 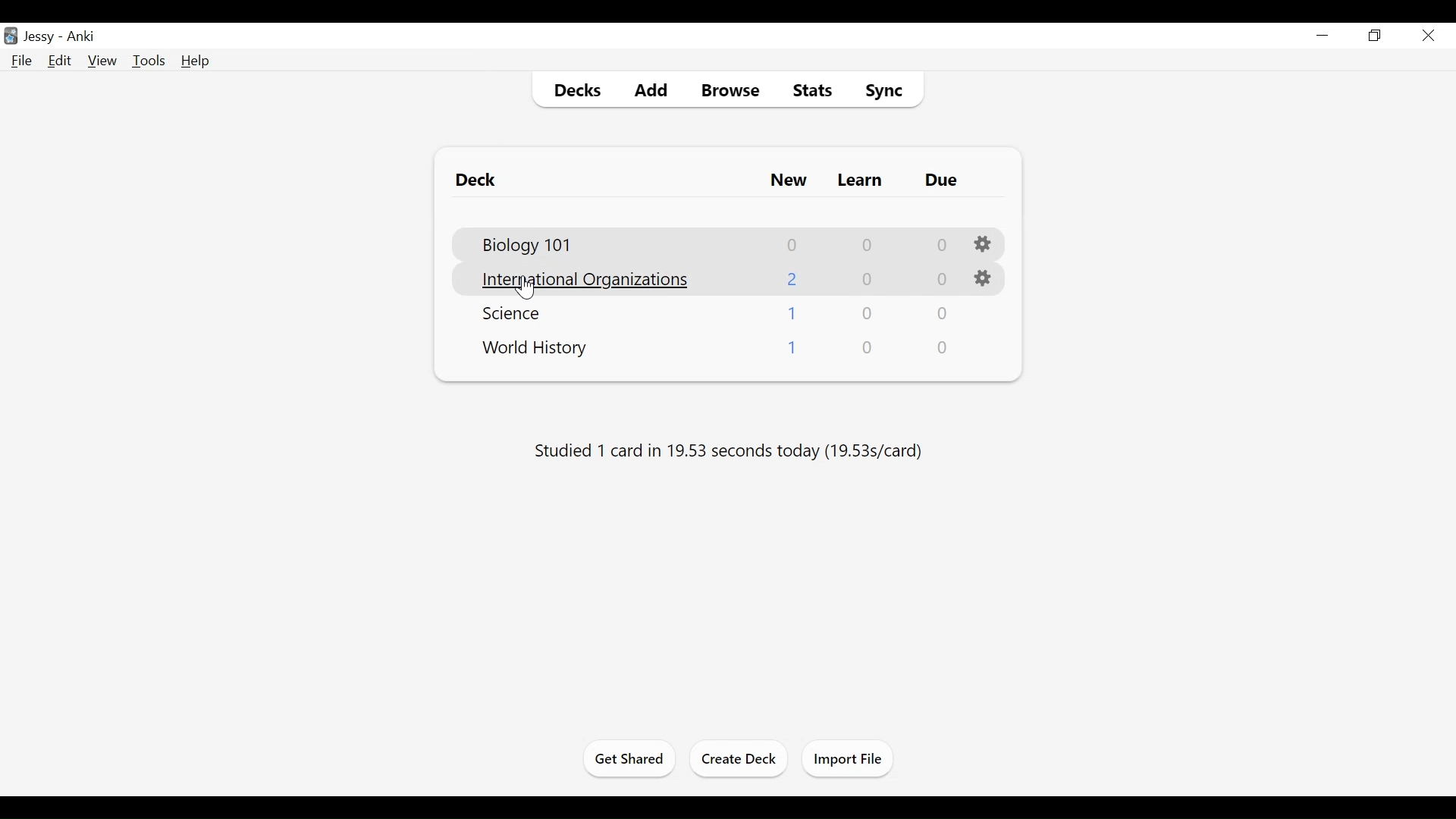 I want to click on Import Files, so click(x=848, y=761).